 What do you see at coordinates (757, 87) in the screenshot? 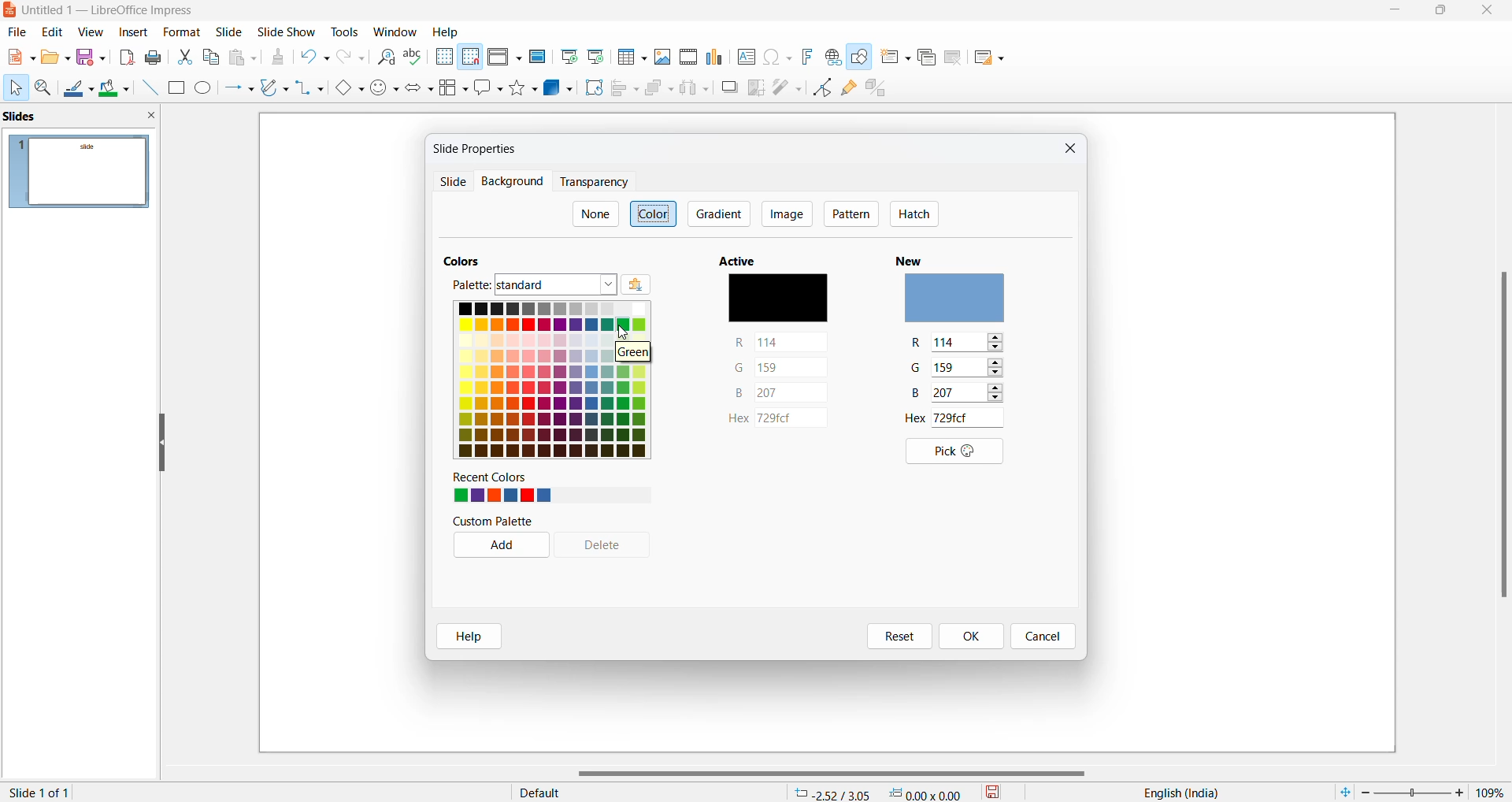
I see `crop image` at bounding box center [757, 87].